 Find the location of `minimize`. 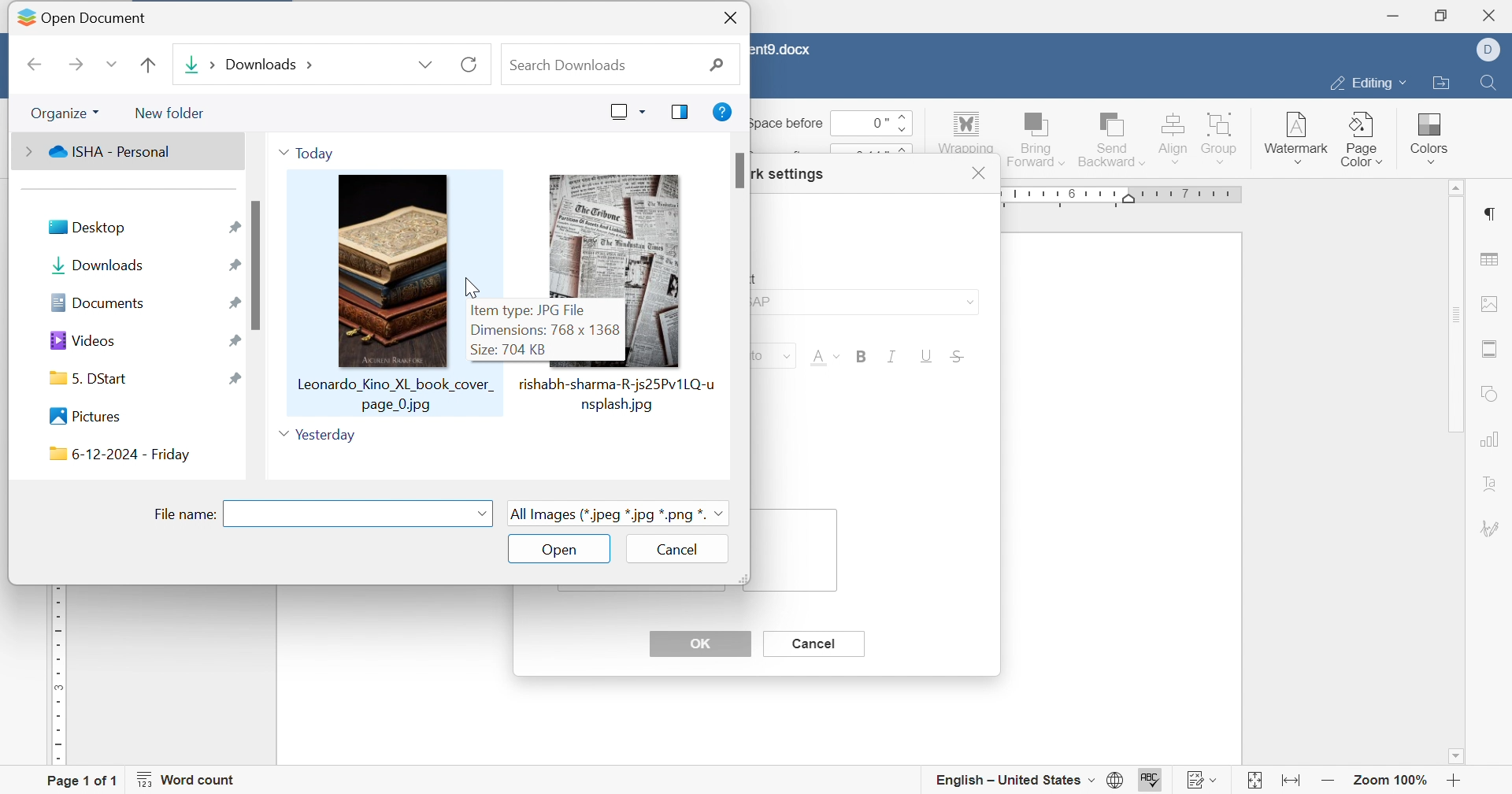

minimize is located at coordinates (1392, 16).